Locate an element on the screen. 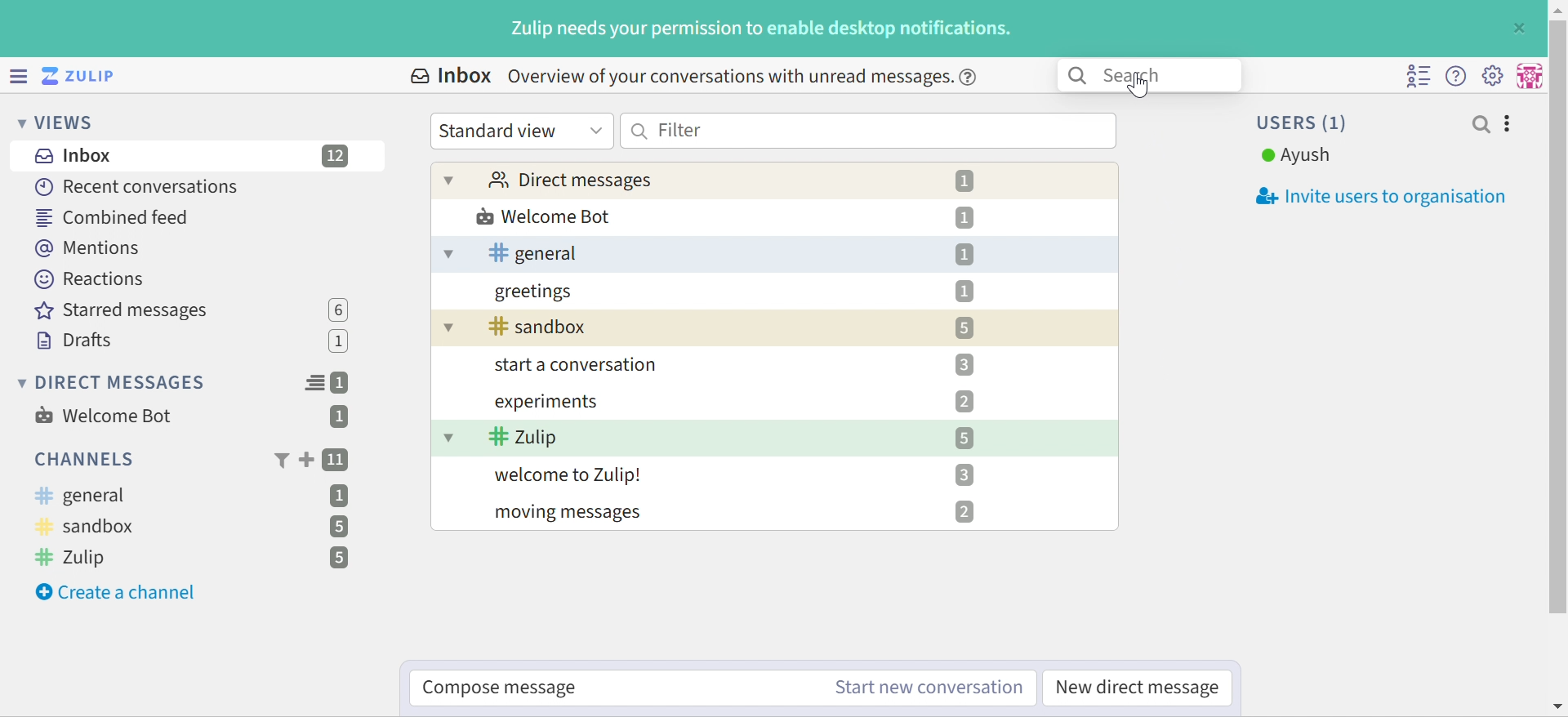 This screenshot has width=1568, height=717. 1 is located at coordinates (964, 181).